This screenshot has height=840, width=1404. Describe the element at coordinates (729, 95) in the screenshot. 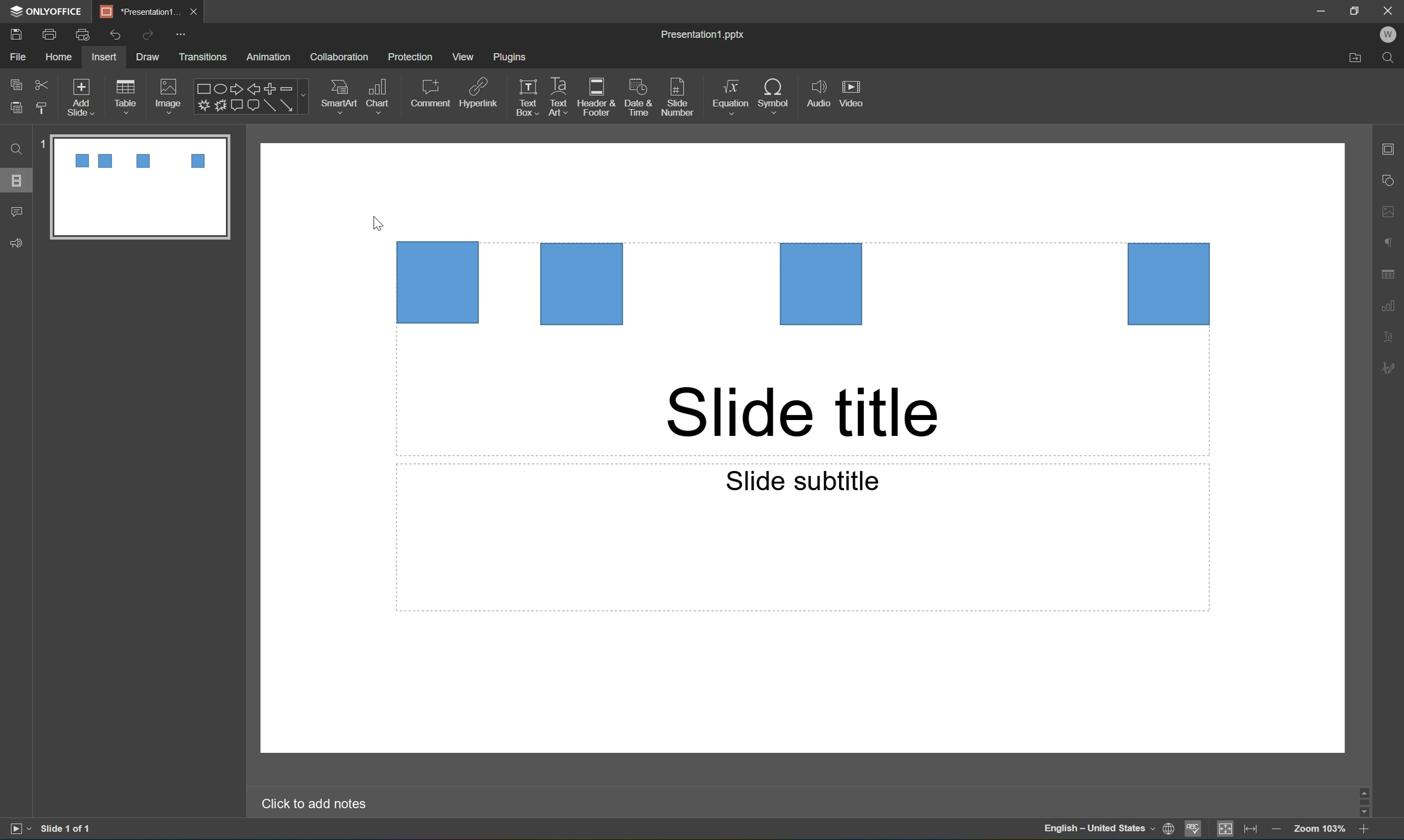

I see `equation` at that location.